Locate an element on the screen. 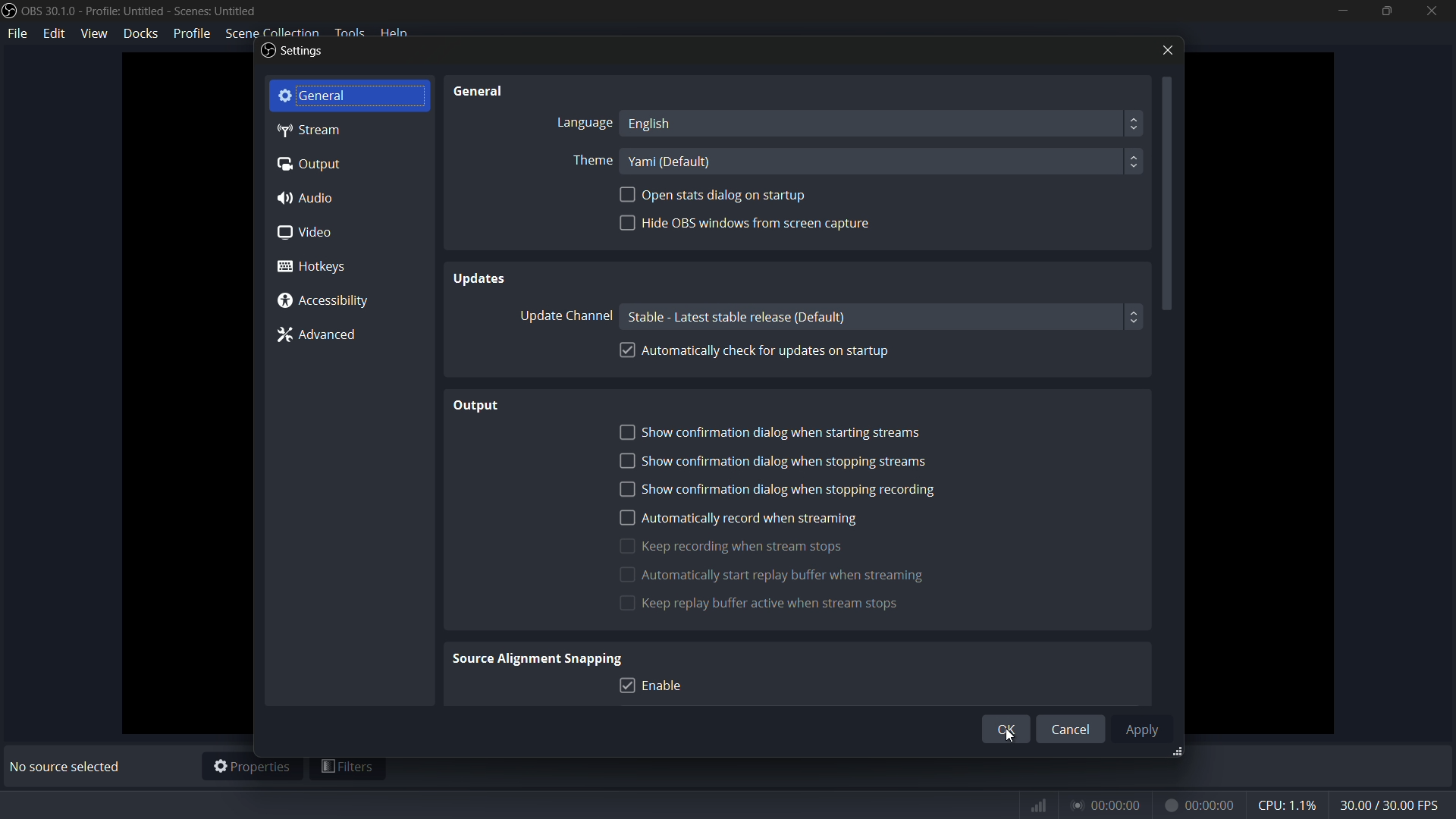 This screenshot has width=1456, height=819. Advance is located at coordinates (325, 337).